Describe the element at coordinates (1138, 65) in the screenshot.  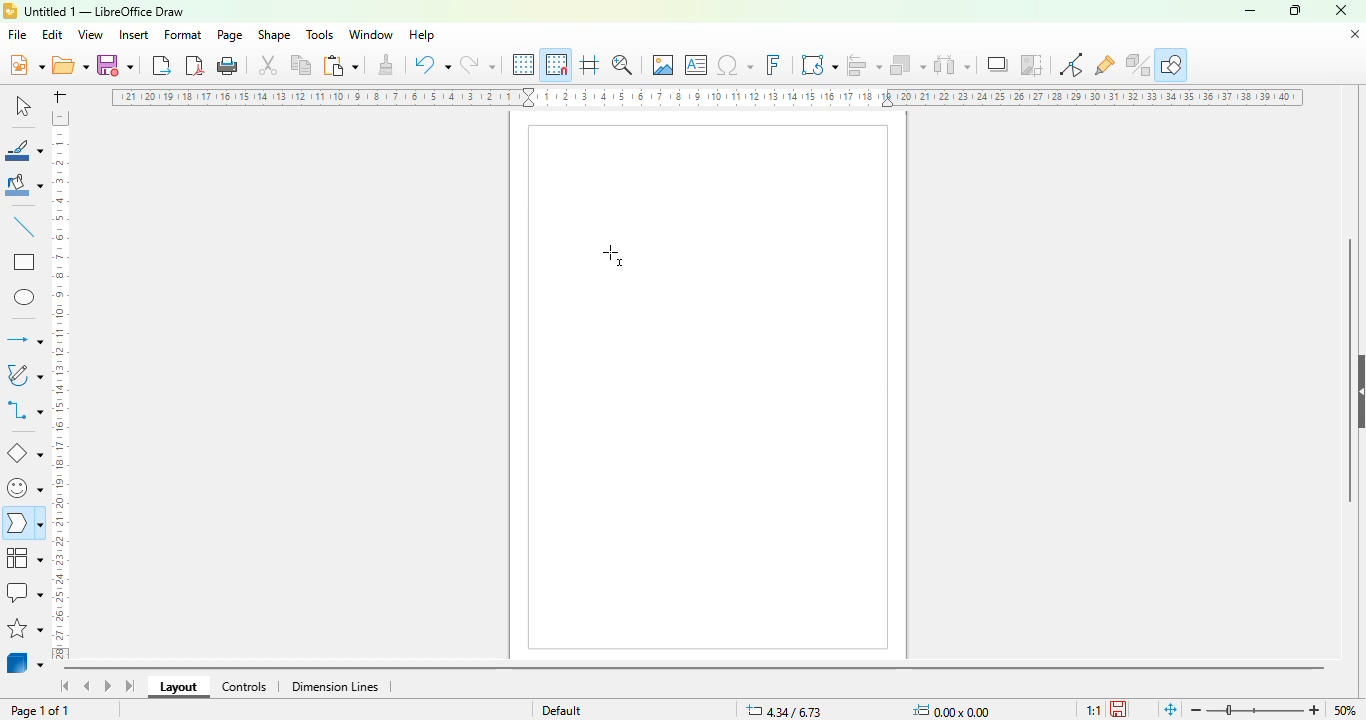
I see `toggle extrusion` at that location.